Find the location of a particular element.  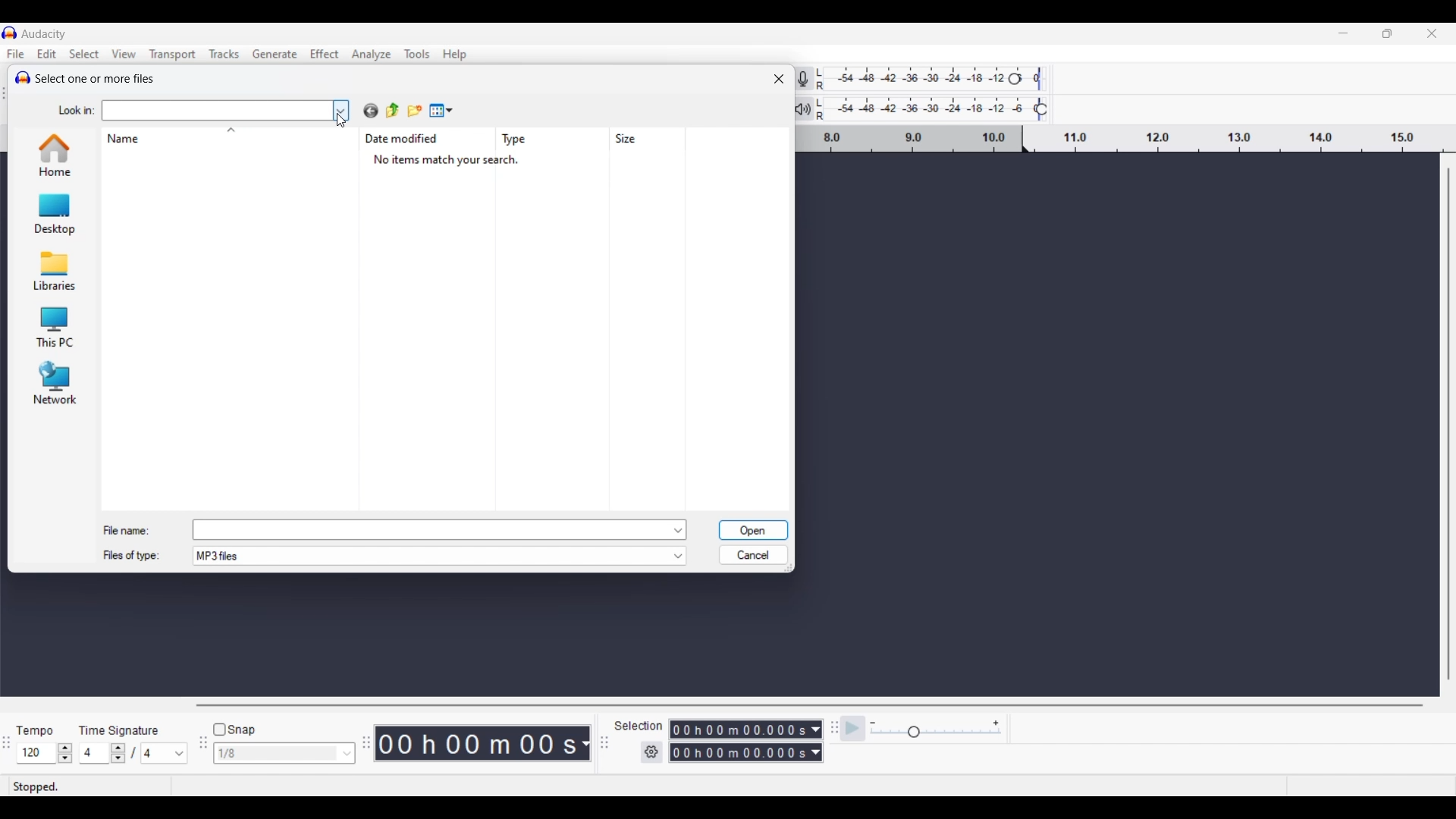

Up one level is located at coordinates (393, 111).